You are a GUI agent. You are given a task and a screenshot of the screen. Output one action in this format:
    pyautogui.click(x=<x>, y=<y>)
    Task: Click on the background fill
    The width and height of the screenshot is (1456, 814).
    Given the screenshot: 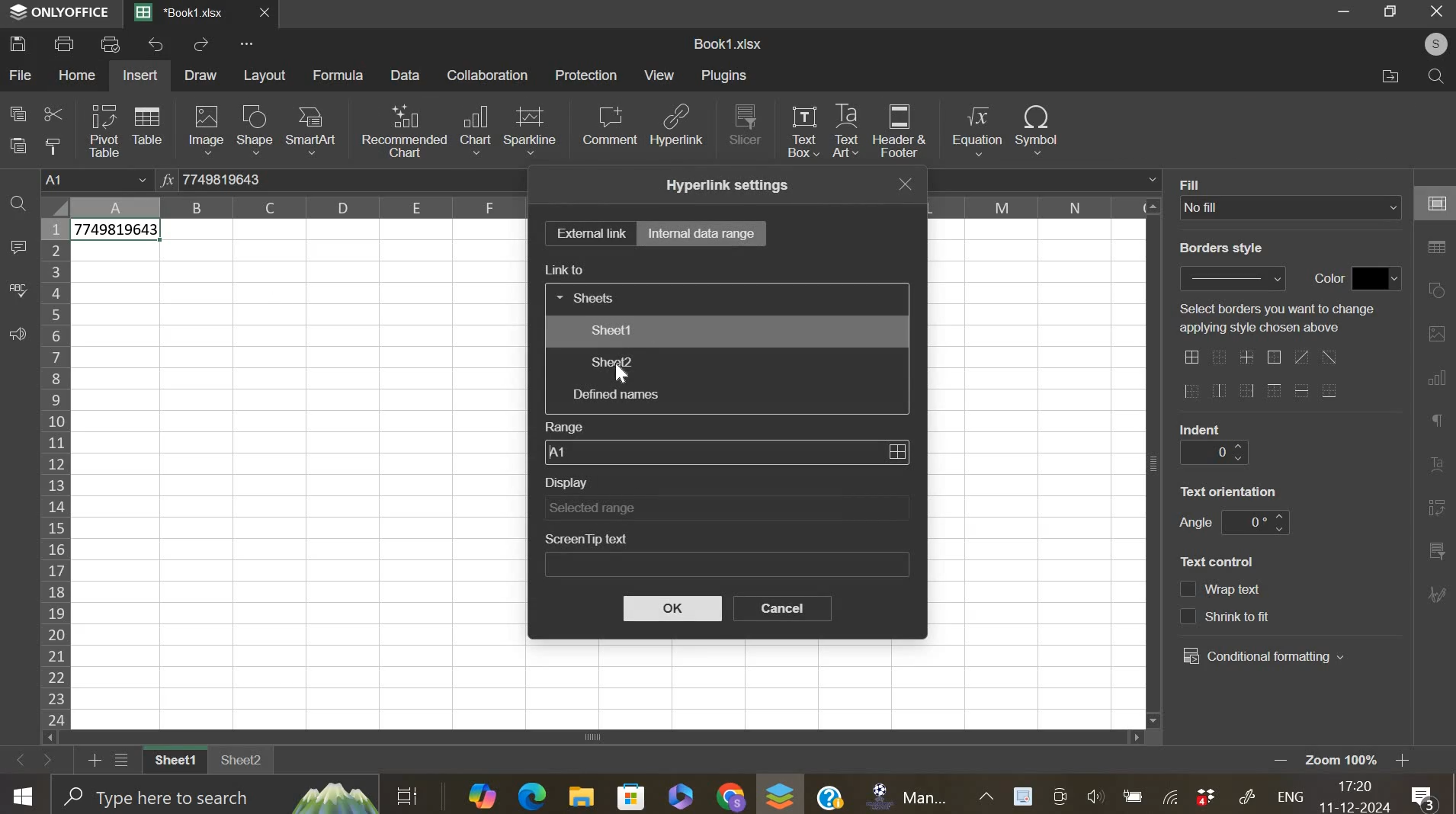 What is the action you would take?
    pyautogui.click(x=1291, y=207)
    